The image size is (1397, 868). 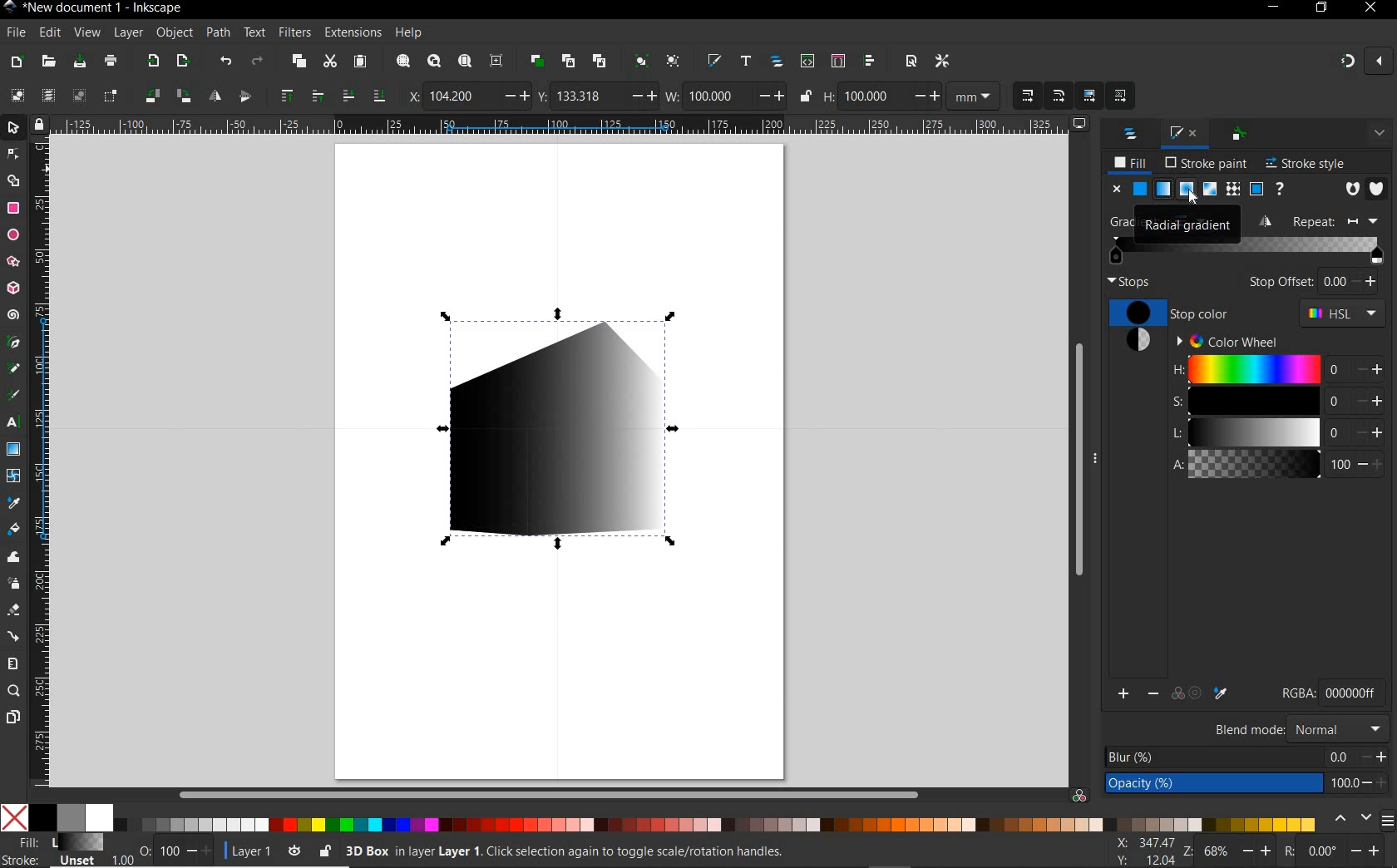 I want to click on HELP, so click(x=410, y=31).